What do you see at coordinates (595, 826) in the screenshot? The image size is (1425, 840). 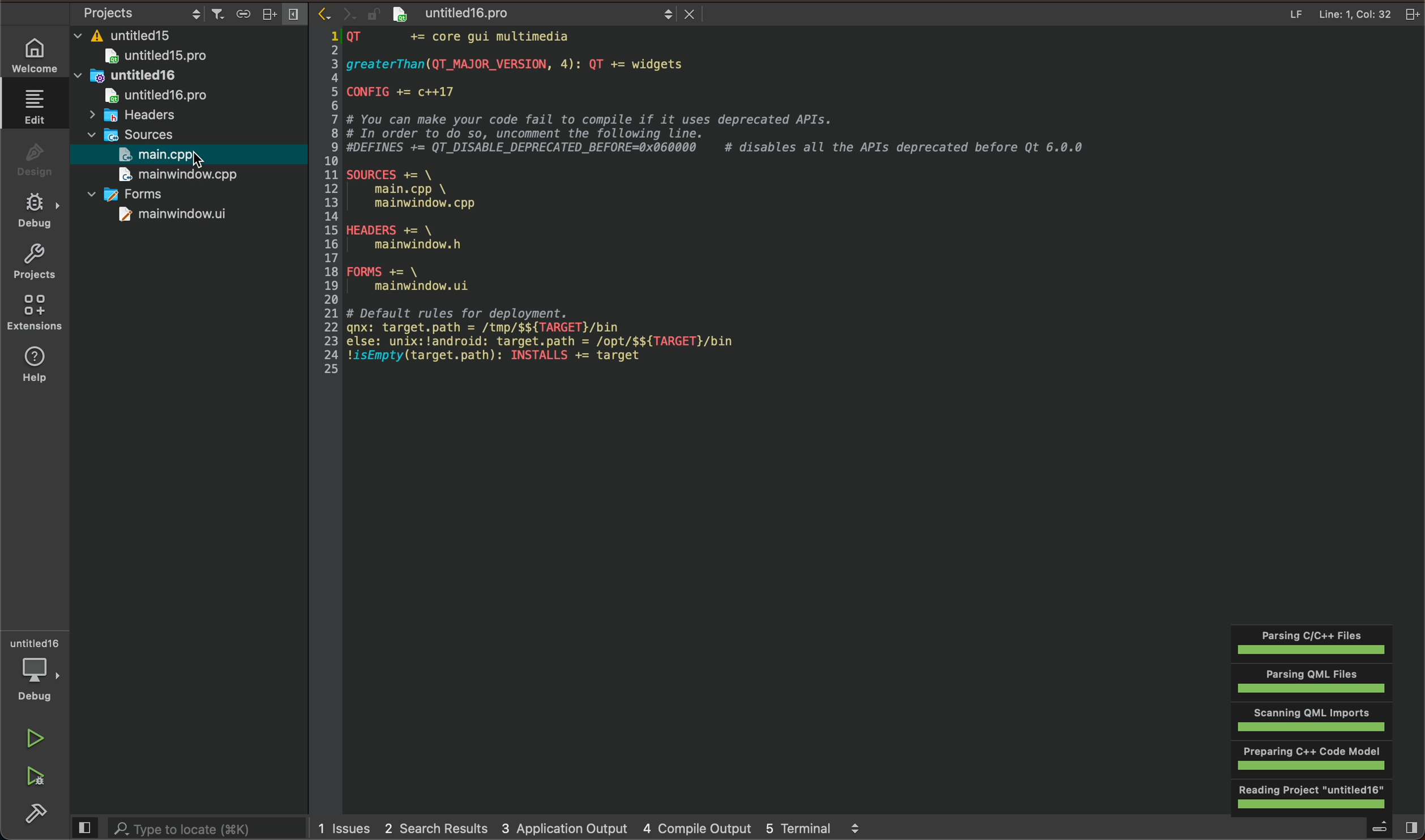 I see `logs` at bounding box center [595, 826].